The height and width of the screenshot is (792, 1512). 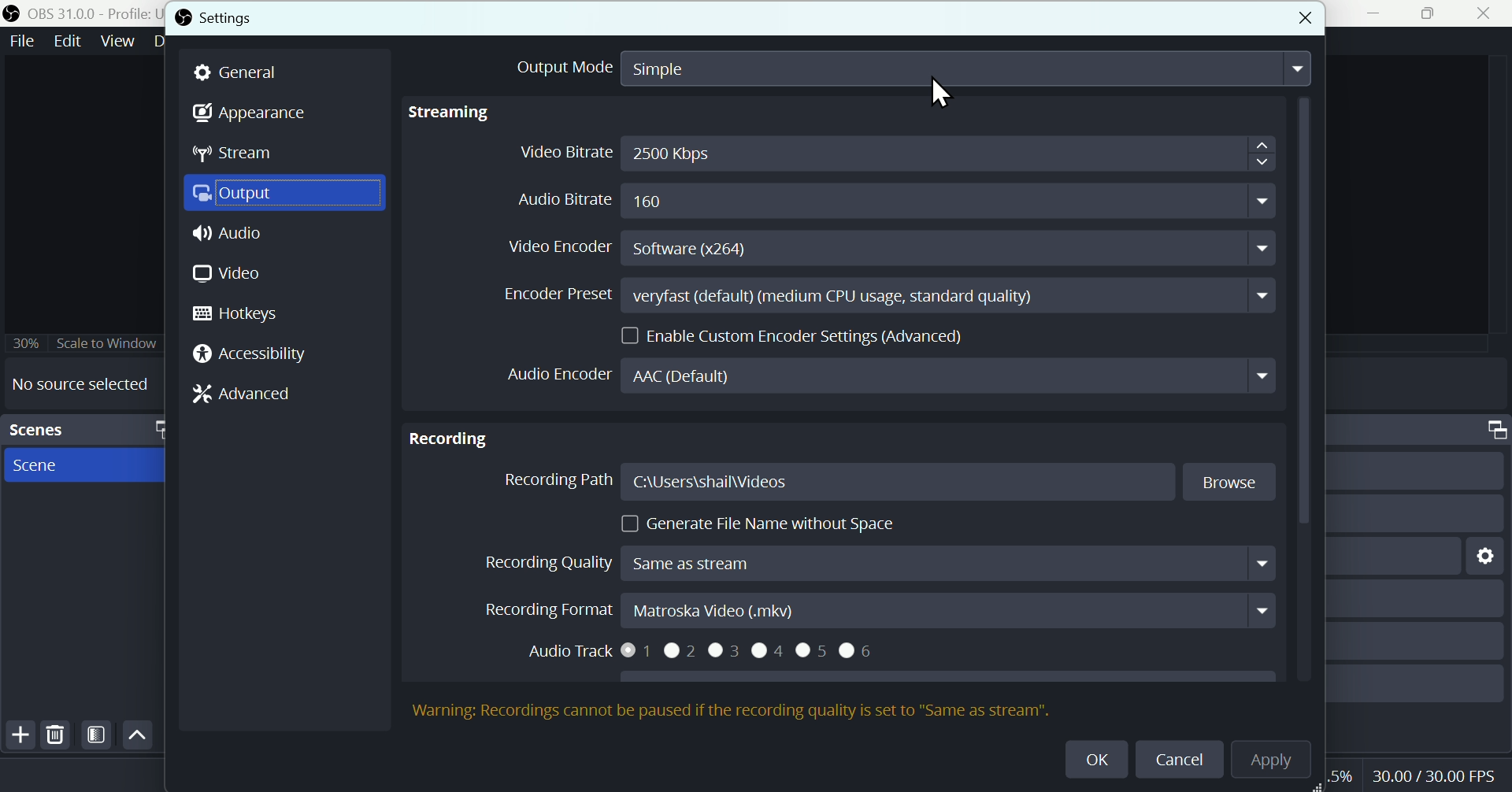 I want to click on Video bitrate, so click(x=896, y=155).